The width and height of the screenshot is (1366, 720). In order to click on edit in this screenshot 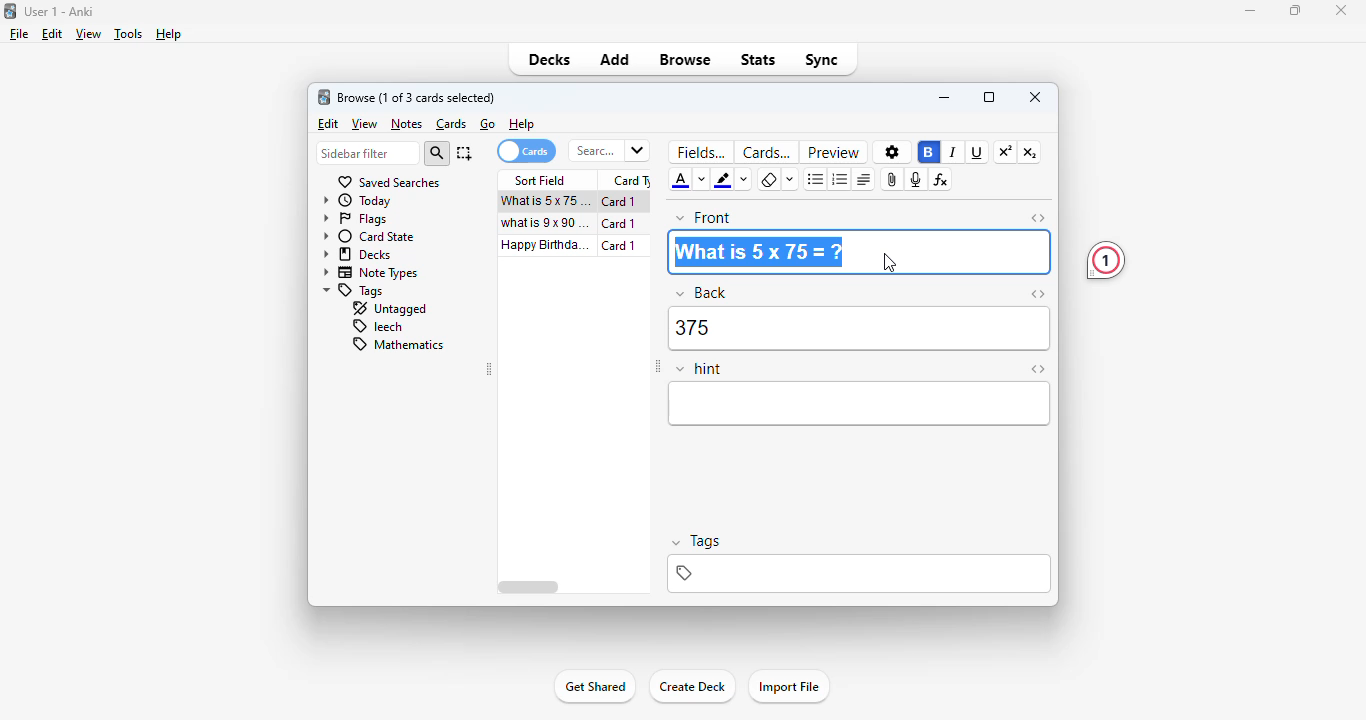, I will do `click(328, 123)`.